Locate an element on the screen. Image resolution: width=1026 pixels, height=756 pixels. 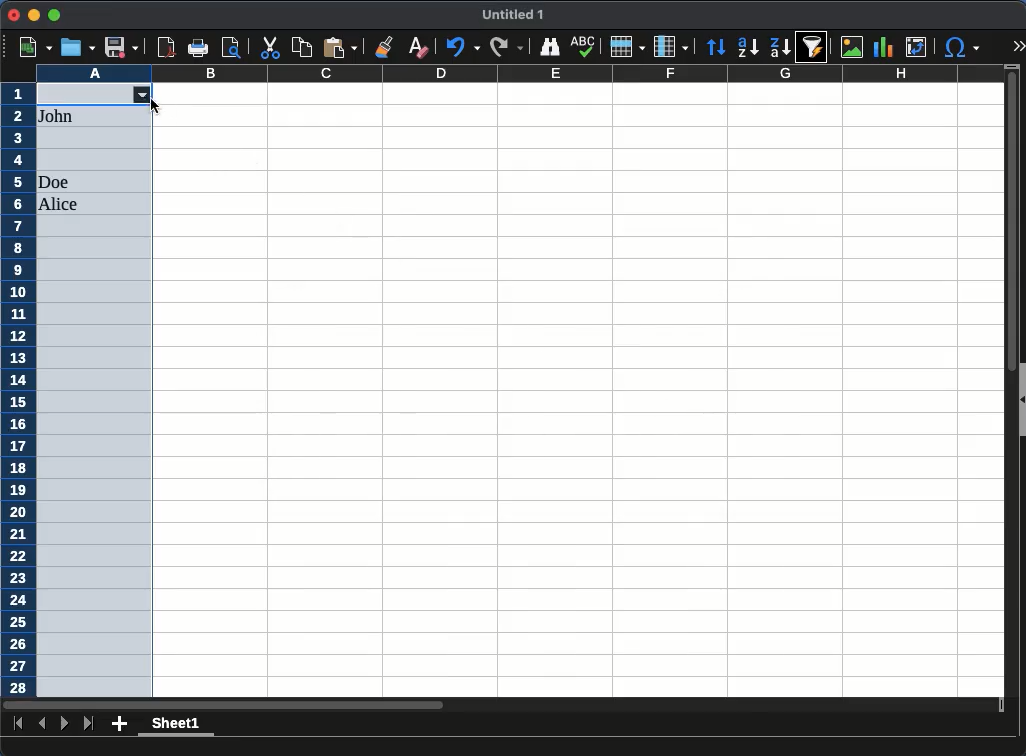
minimize is located at coordinates (33, 15).